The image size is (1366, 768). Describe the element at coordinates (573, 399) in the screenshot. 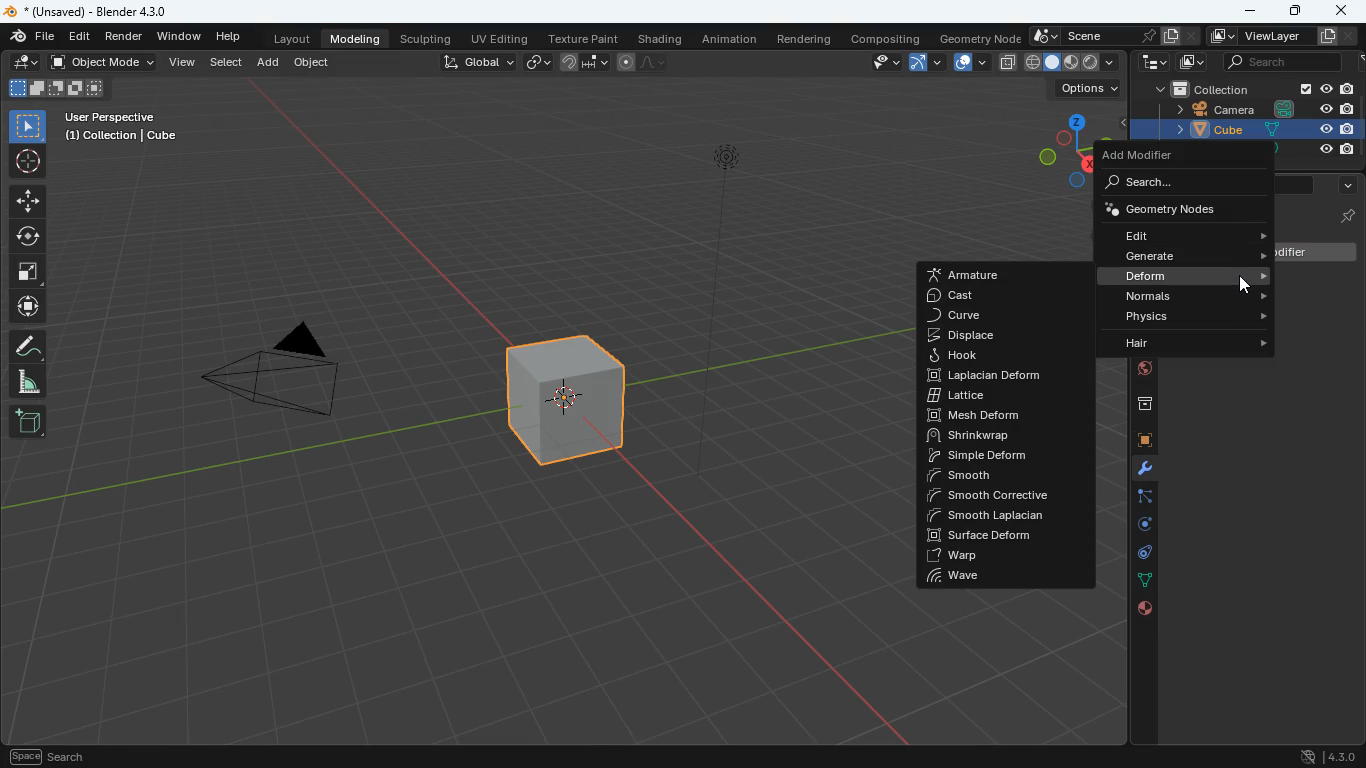

I see `cube` at that location.